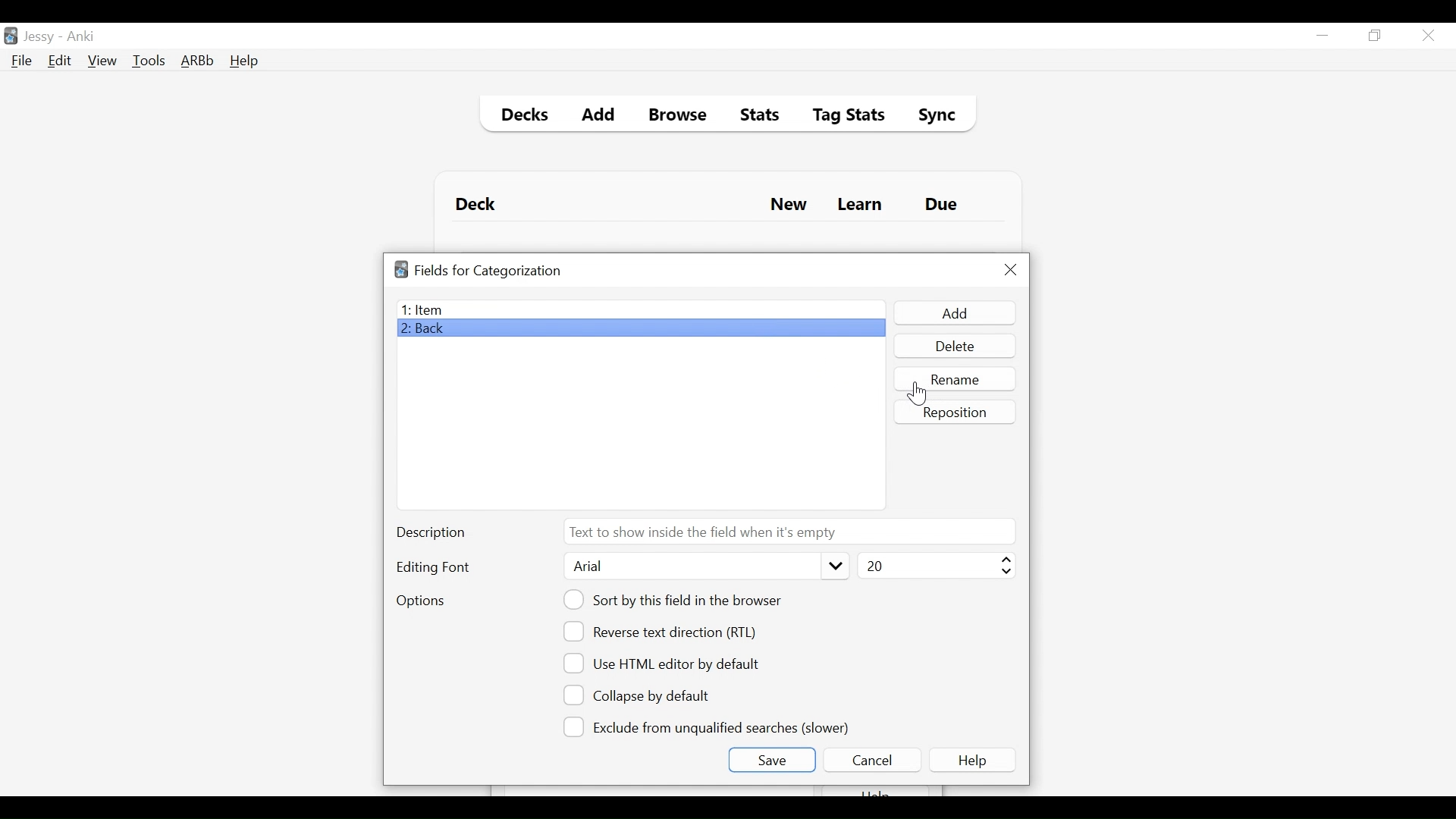 This screenshot has height=819, width=1456. Describe the element at coordinates (81, 36) in the screenshot. I see `Anki` at that location.